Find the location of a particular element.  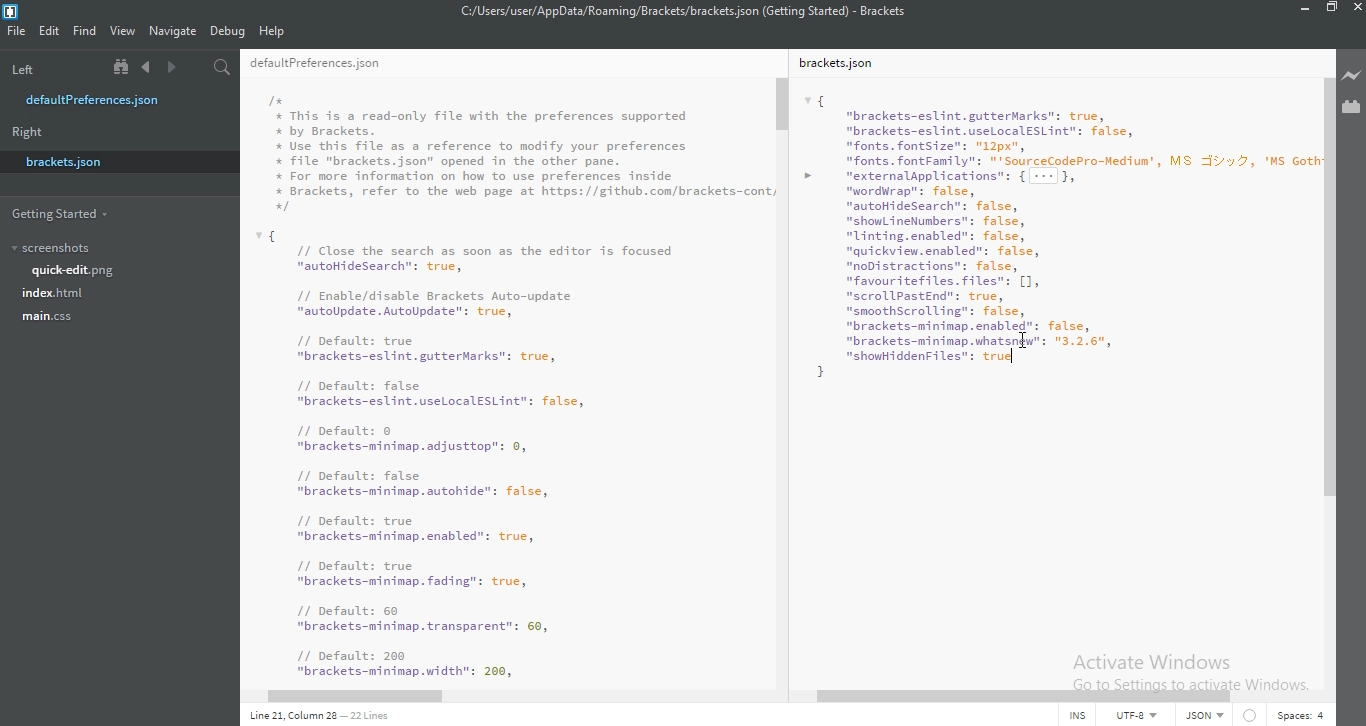

Navigate is located at coordinates (174, 30).